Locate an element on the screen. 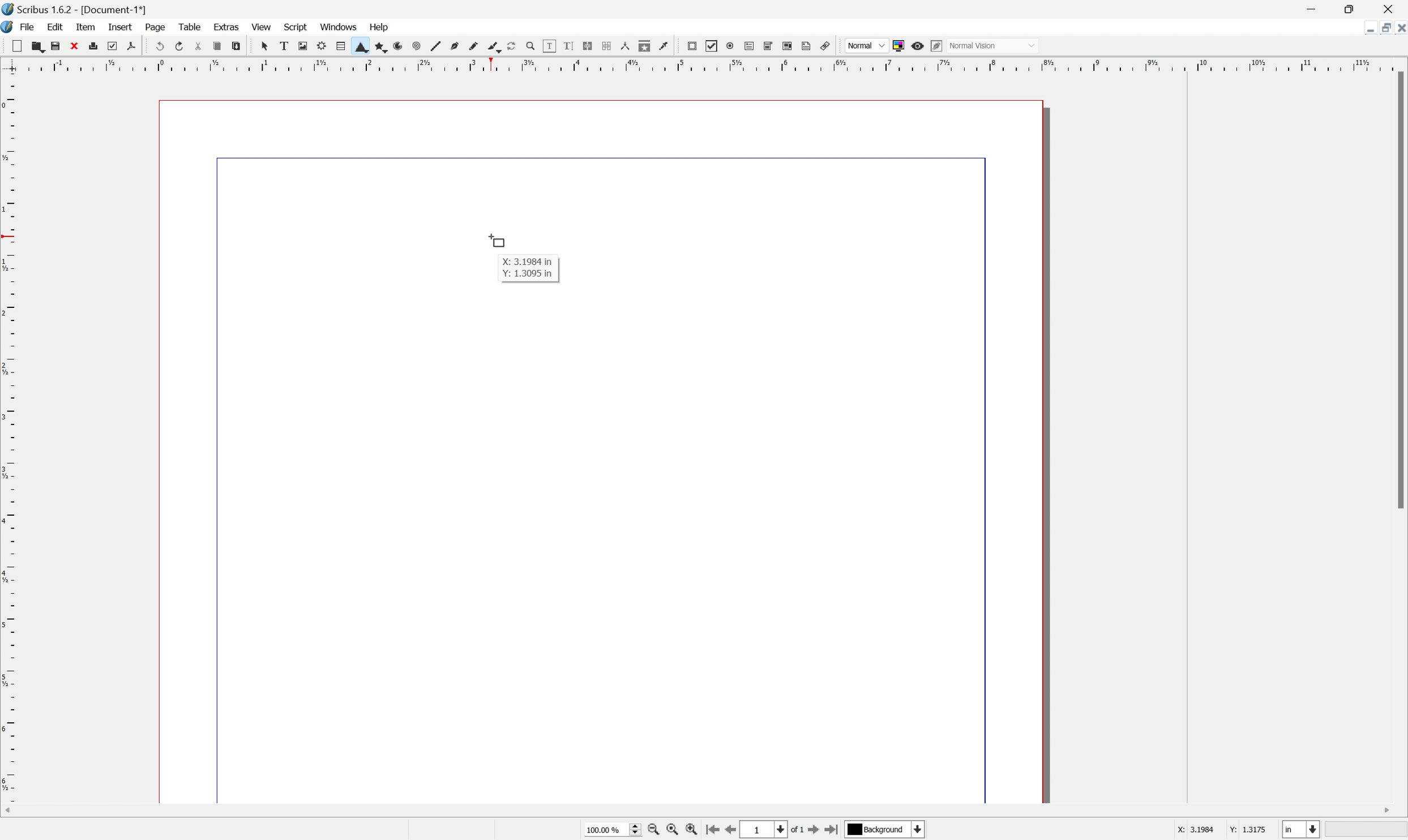  Shape is located at coordinates (357, 48).